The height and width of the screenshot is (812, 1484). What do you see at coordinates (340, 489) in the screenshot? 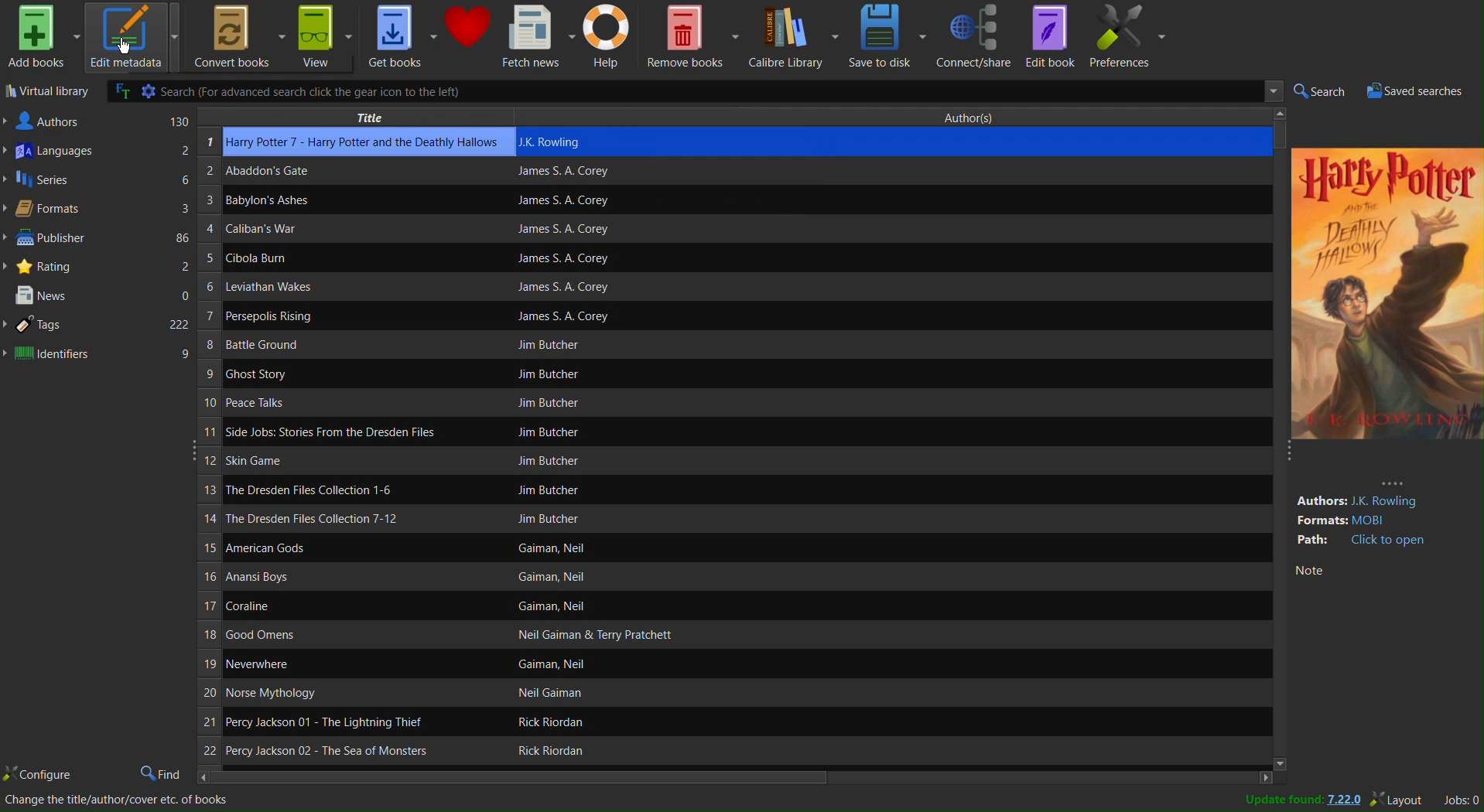
I see `Book name` at bounding box center [340, 489].